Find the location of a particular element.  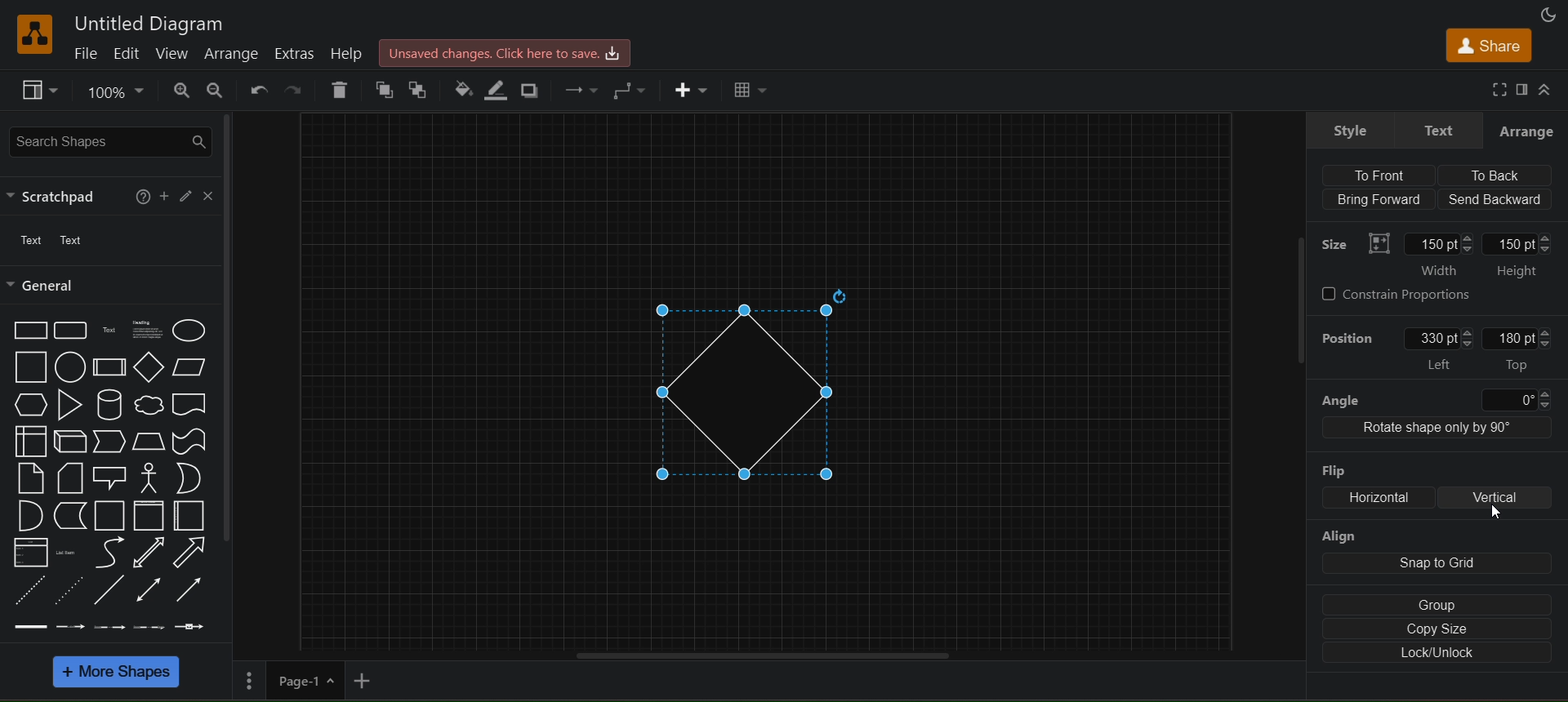

help is located at coordinates (349, 51).